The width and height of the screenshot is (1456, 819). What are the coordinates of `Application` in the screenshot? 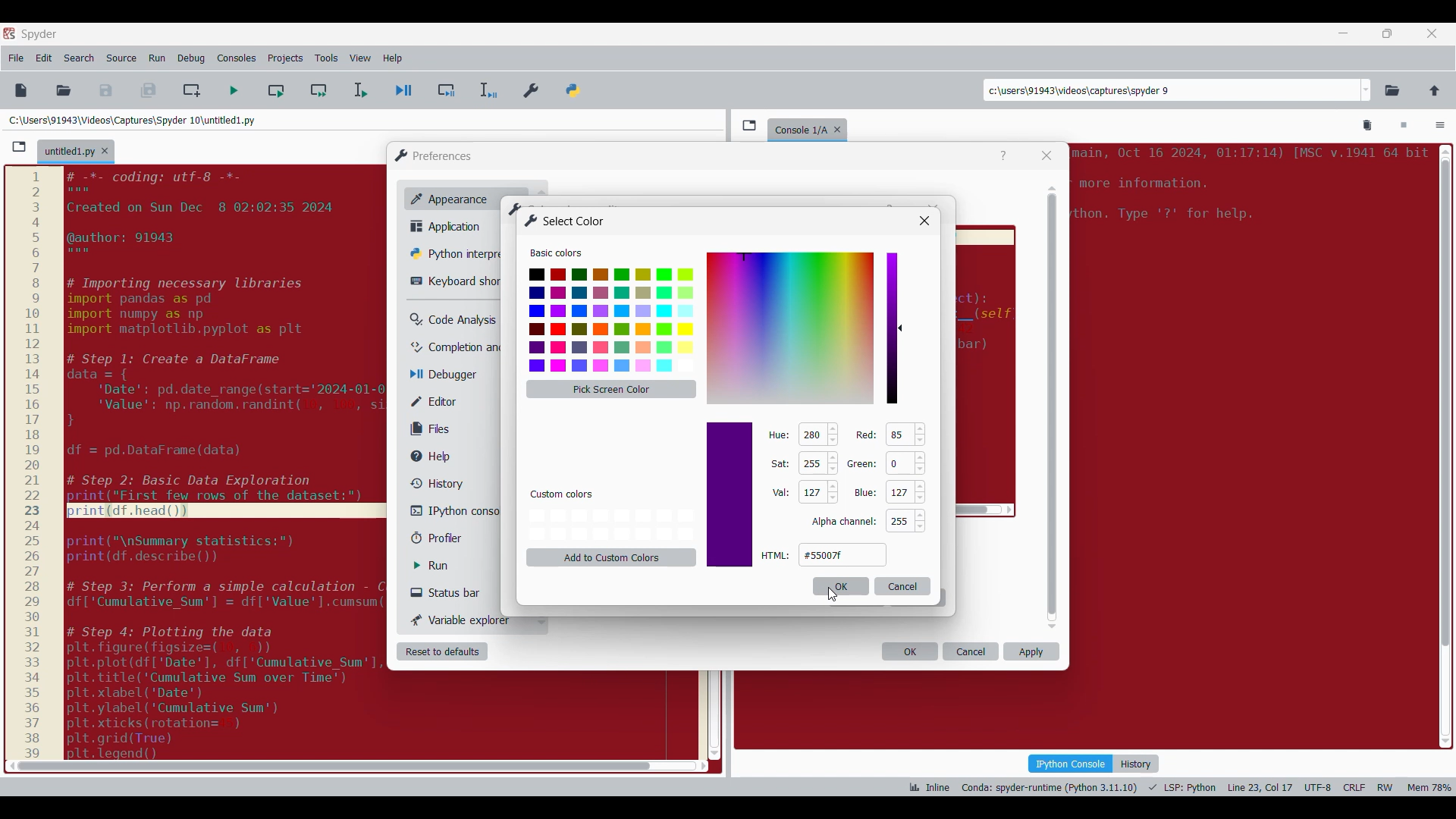 It's located at (450, 226).